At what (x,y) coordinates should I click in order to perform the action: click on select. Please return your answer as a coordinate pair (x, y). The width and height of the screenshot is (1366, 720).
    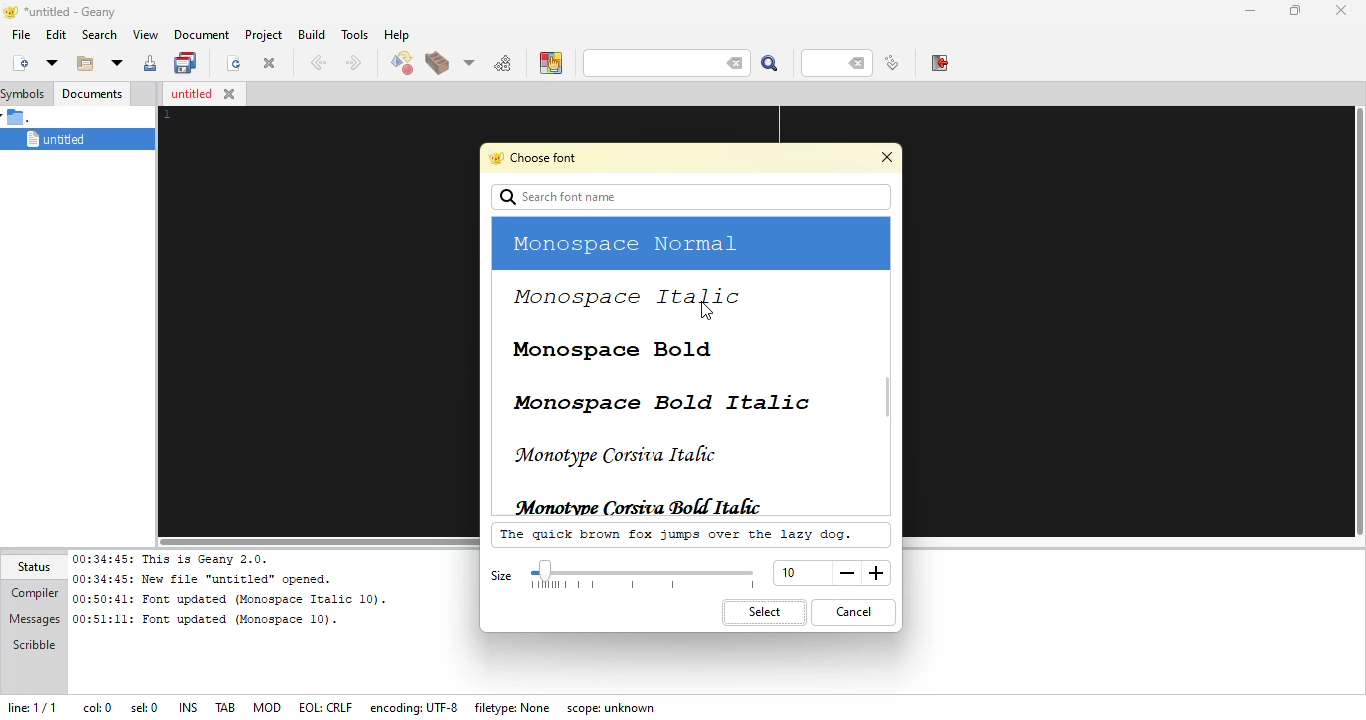
    Looking at the image, I should click on (763, 611).